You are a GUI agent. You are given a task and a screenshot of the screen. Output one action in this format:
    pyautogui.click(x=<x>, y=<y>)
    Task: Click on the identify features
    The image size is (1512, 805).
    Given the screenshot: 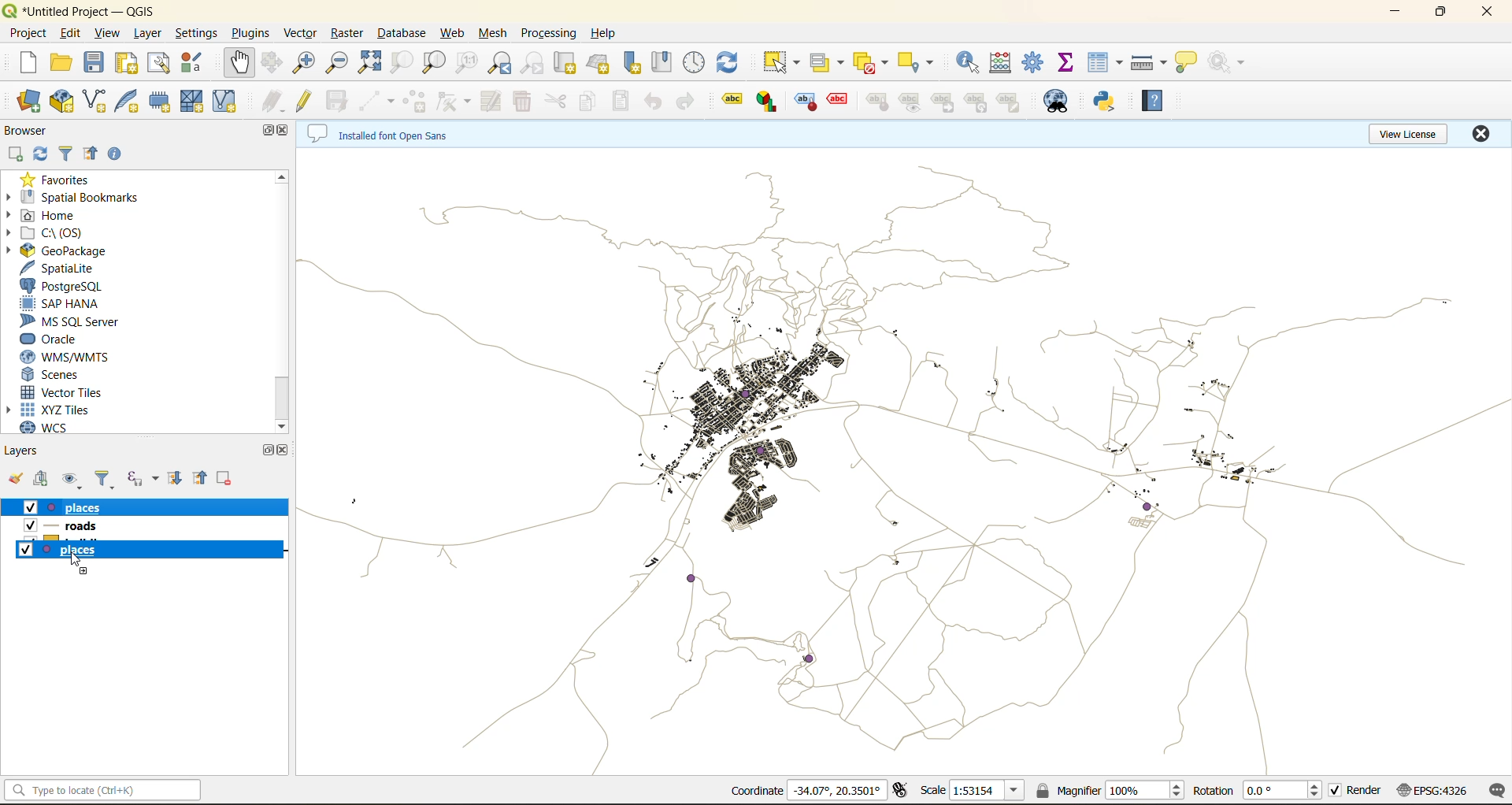 What is the action you would take?
    pyautogui.click(x=972, y=63)
    